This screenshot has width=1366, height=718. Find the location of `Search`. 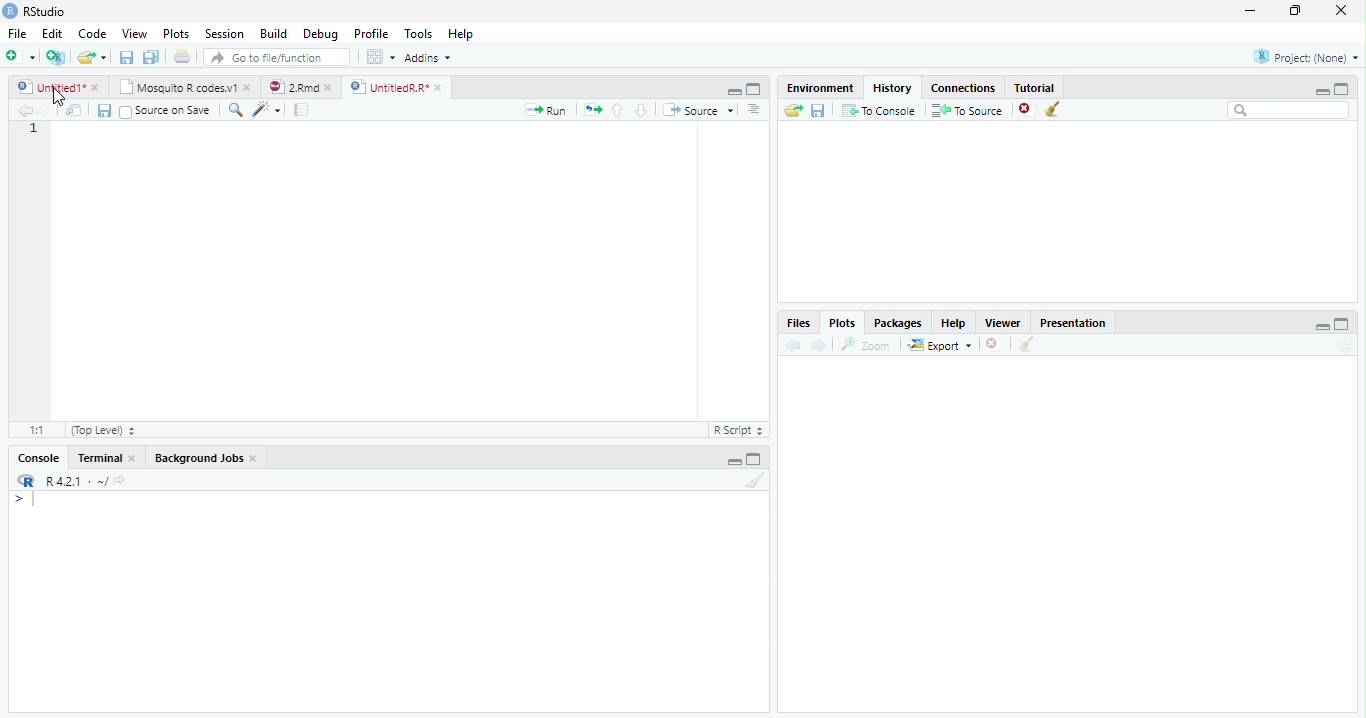

Search is located at coordinates (1289, 111).